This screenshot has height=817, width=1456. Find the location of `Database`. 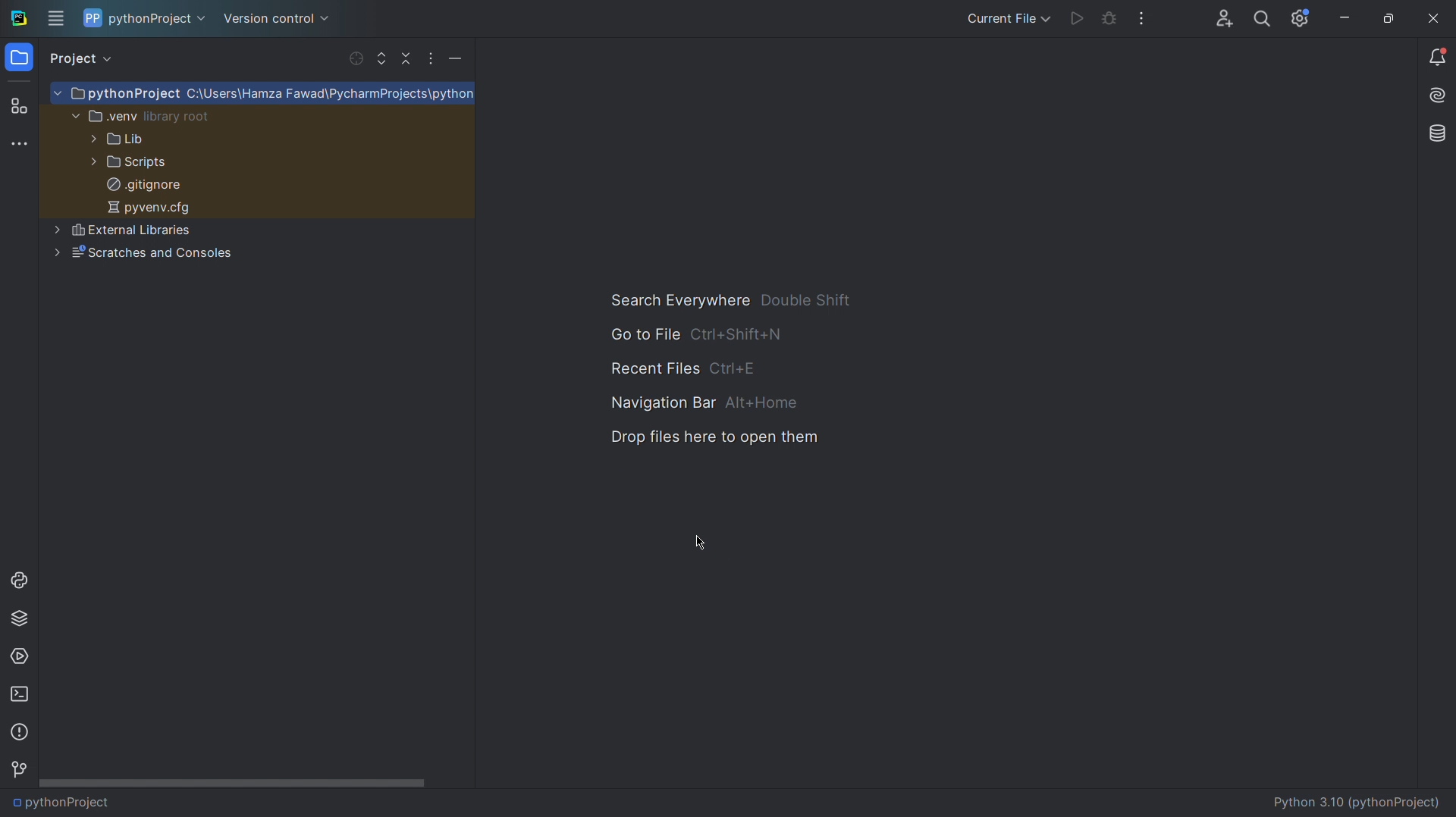

Database is located at coordinates (1436, 136).